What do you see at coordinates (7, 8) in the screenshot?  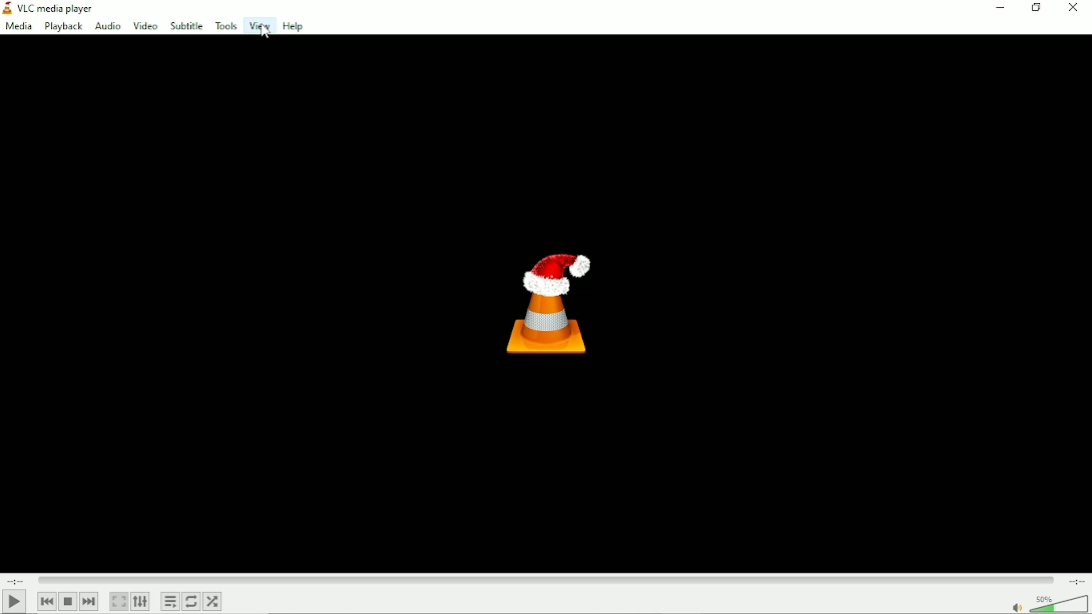 I see `vlc media player logo` at bounding box center [7, 8].